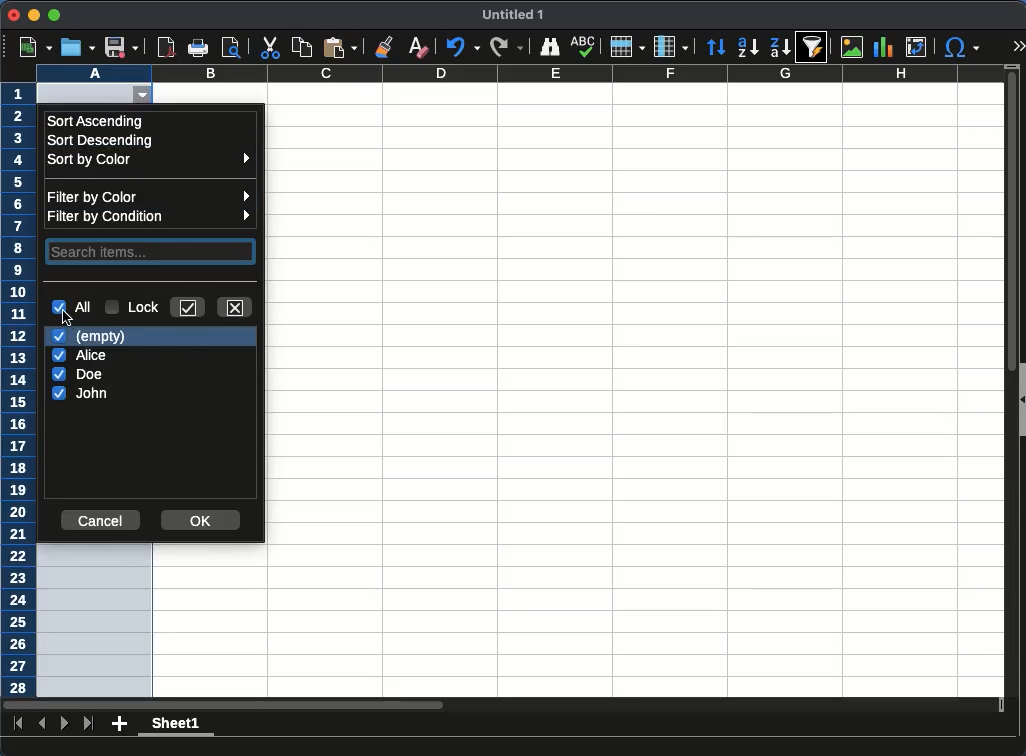  Describe the element at coordinates (1005, 389) in the screenshot. I see `scroll` at that location.